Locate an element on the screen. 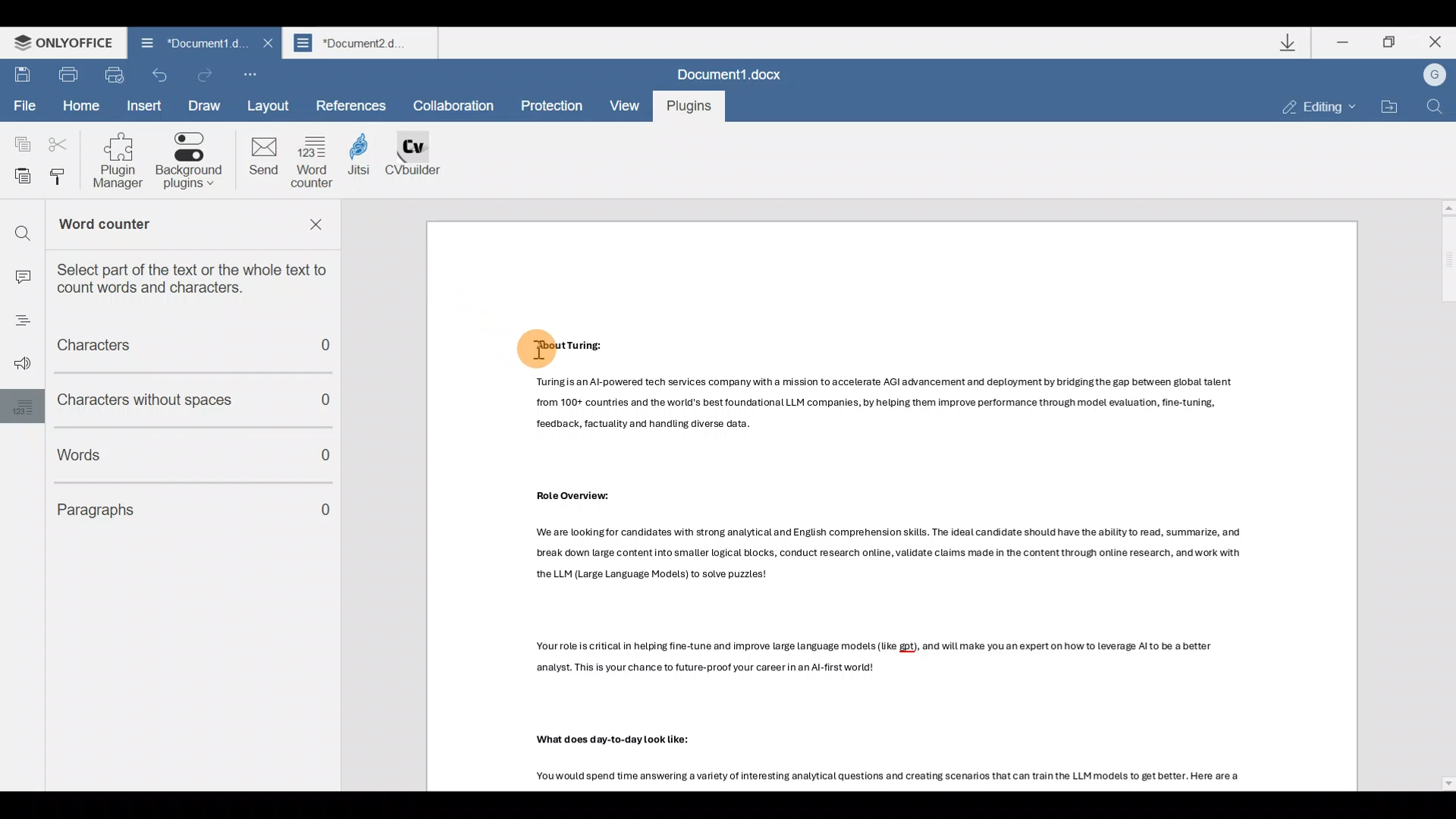 The image size is (1456, 819). Paste is located at coordinates (18, 178).